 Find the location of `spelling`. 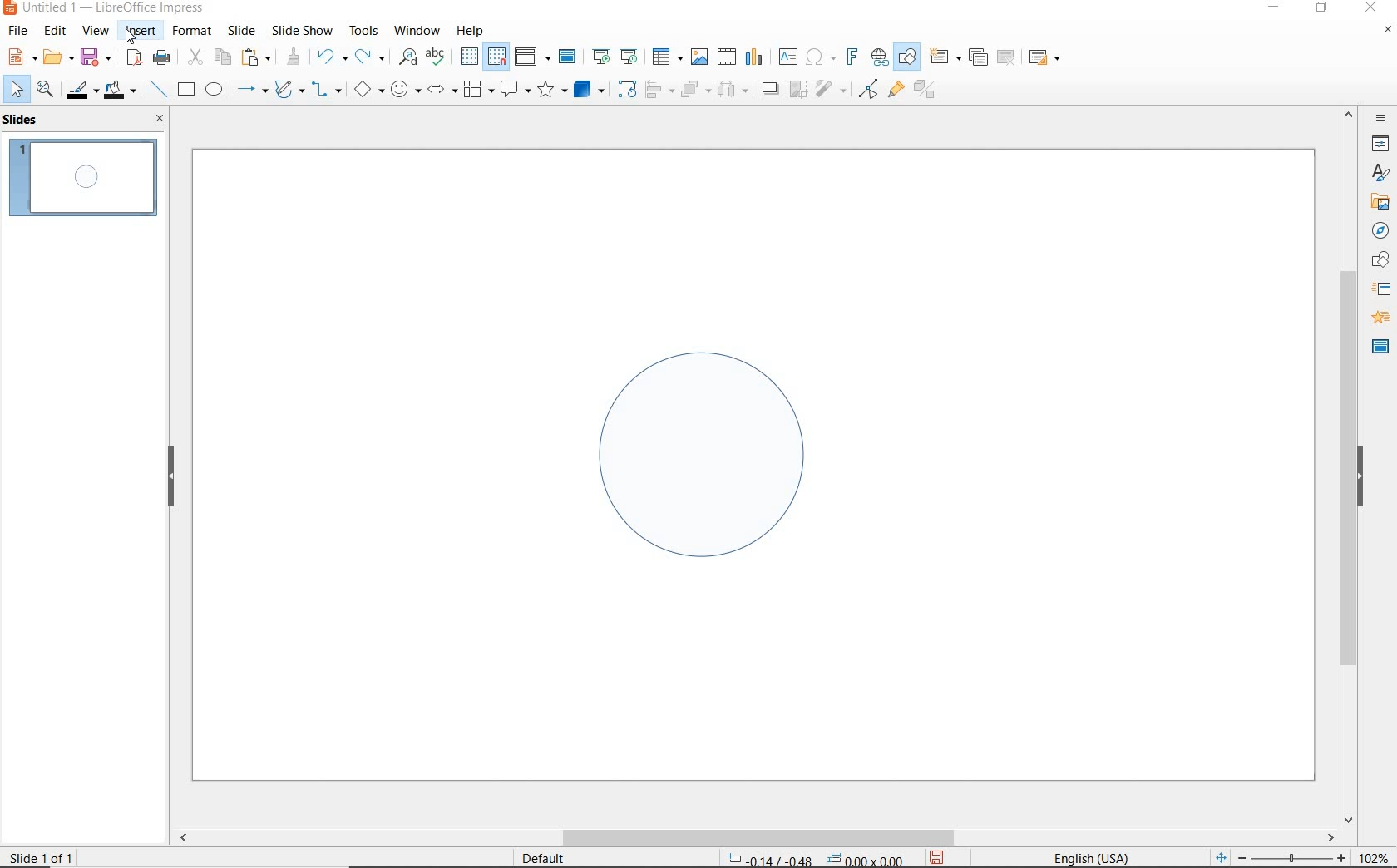

spelling is located at coordinates (435, 57).